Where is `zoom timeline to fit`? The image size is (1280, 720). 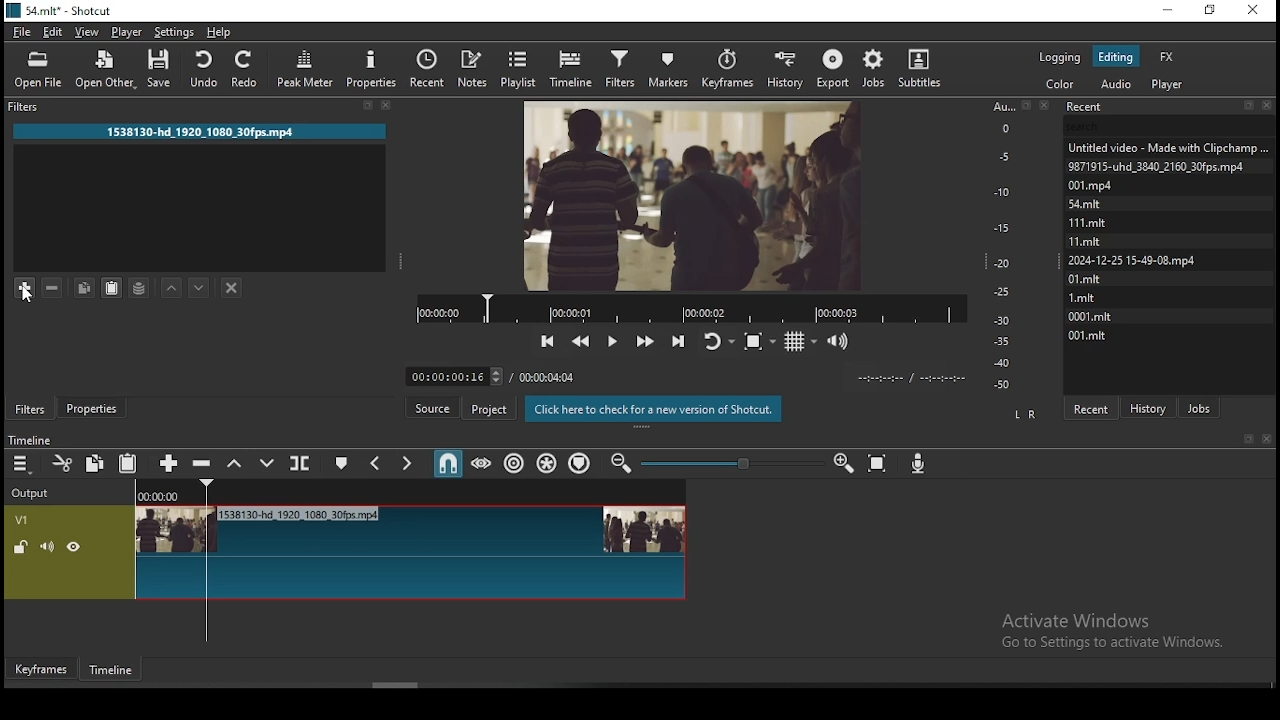 zoom timeline to fit is located at coordinates (881, 465).